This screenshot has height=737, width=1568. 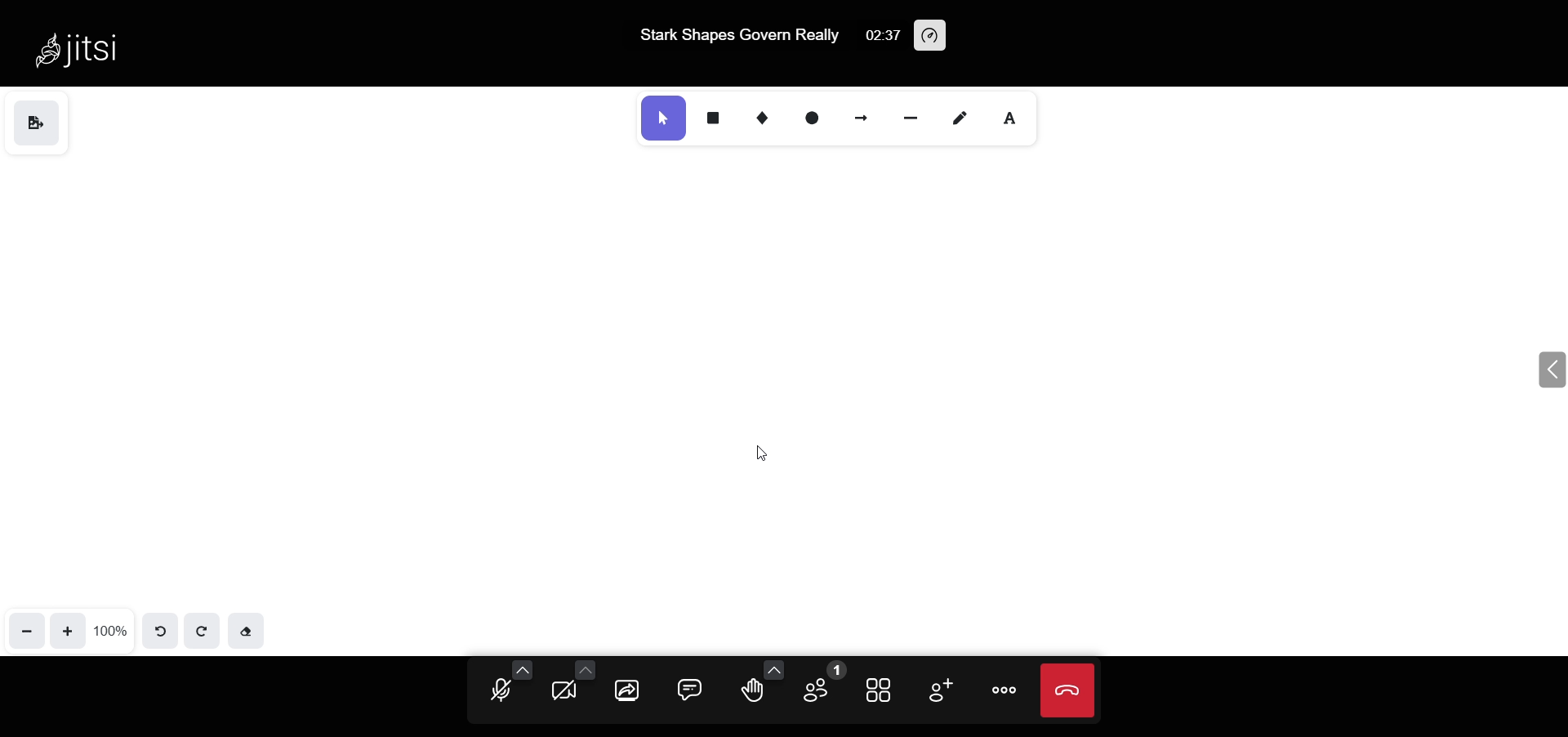 What do you see at coordinates (1003, 690) in the screenshot?
I see `more` at bounding box center [1003, 690].